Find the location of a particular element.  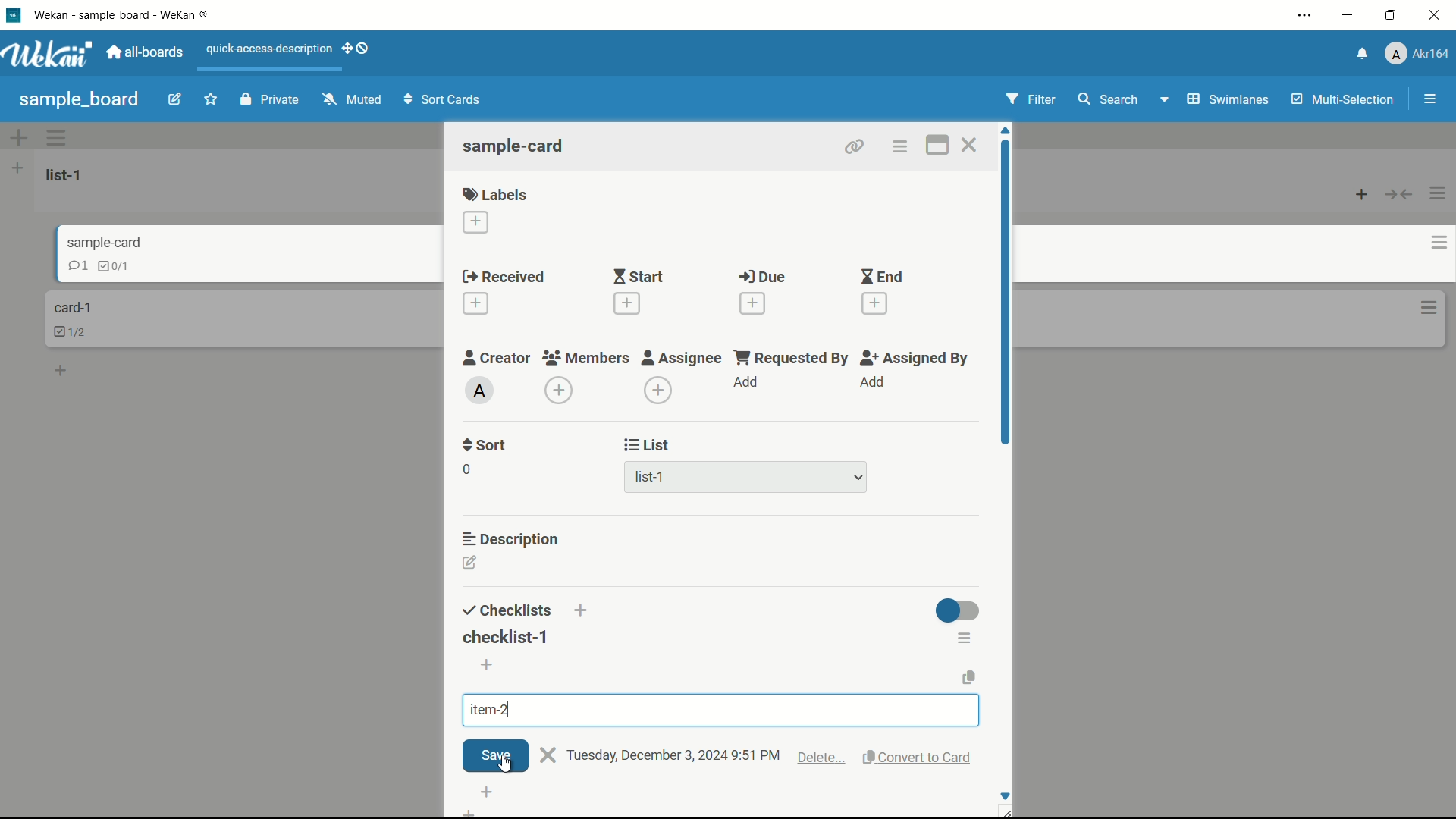

edit board is located at coordinates (175, 98).